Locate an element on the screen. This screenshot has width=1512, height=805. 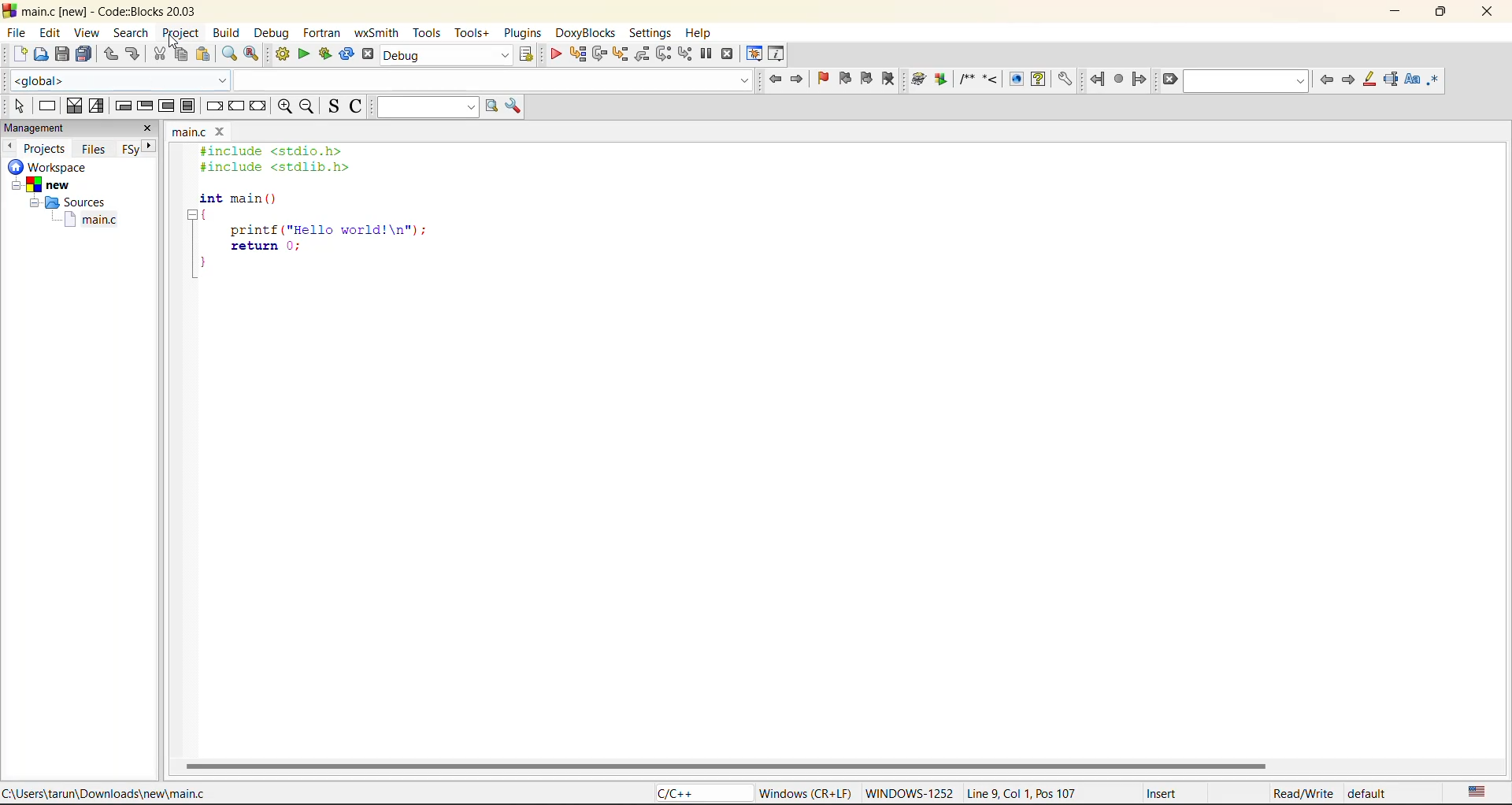
last jump is located at coordinates (1117, 80).